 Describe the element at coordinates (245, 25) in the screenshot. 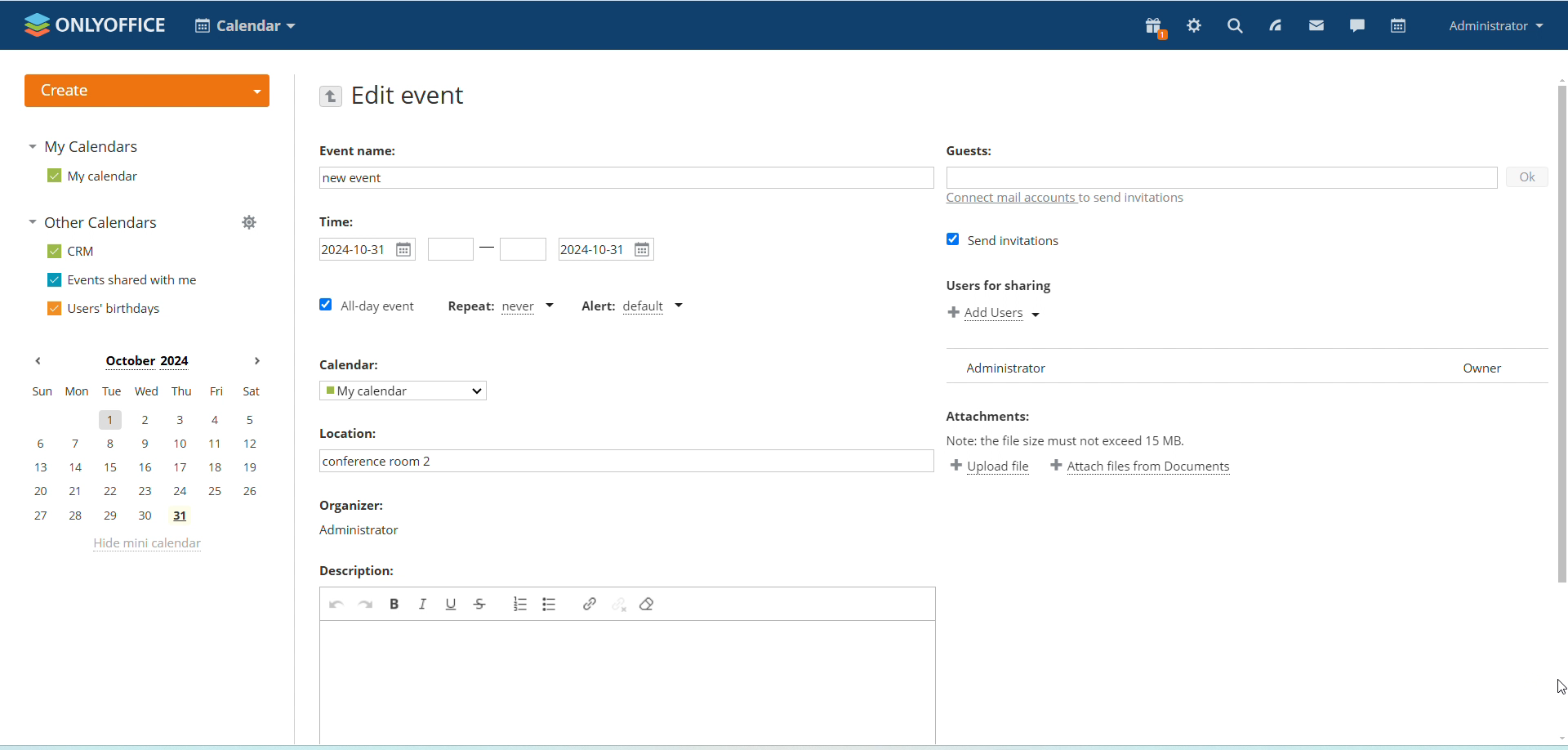

I see `select application` at that location.